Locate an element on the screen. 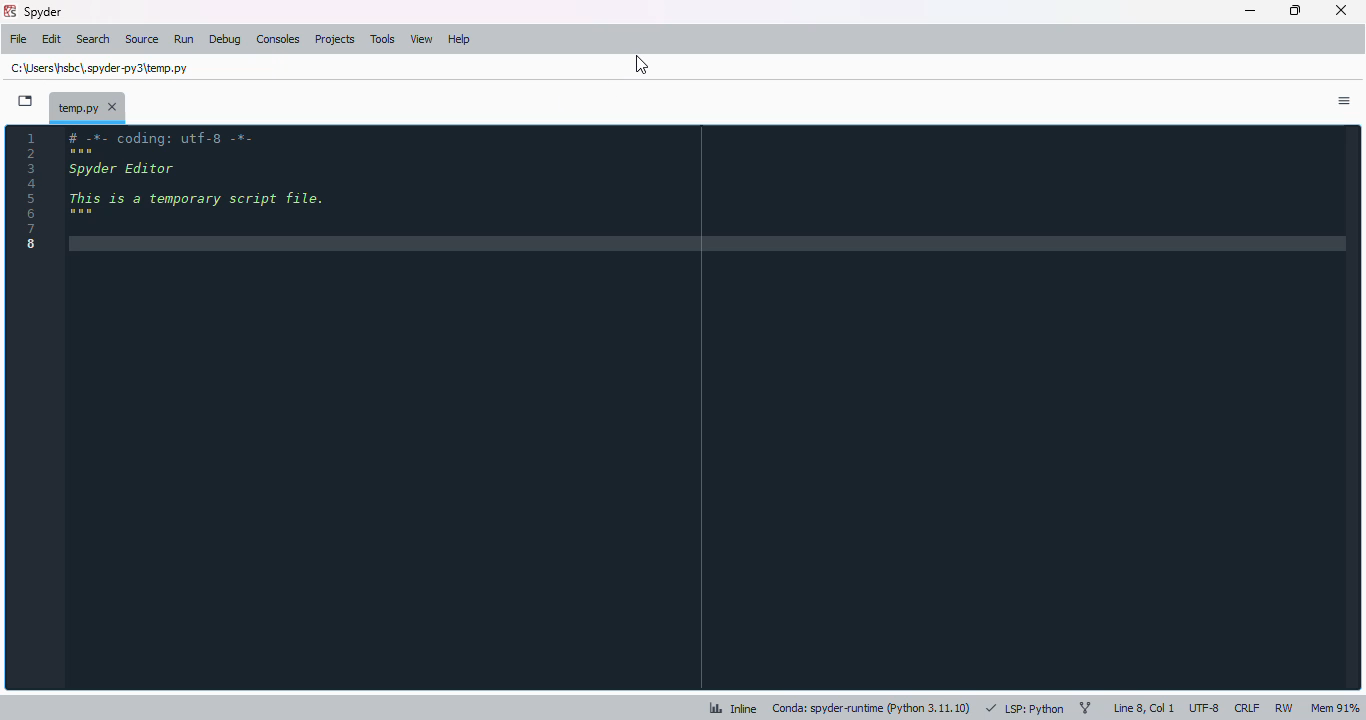 Image resolution: width=1366 pixels, height=720 pixels. inline is located at coordinates (733, 708).